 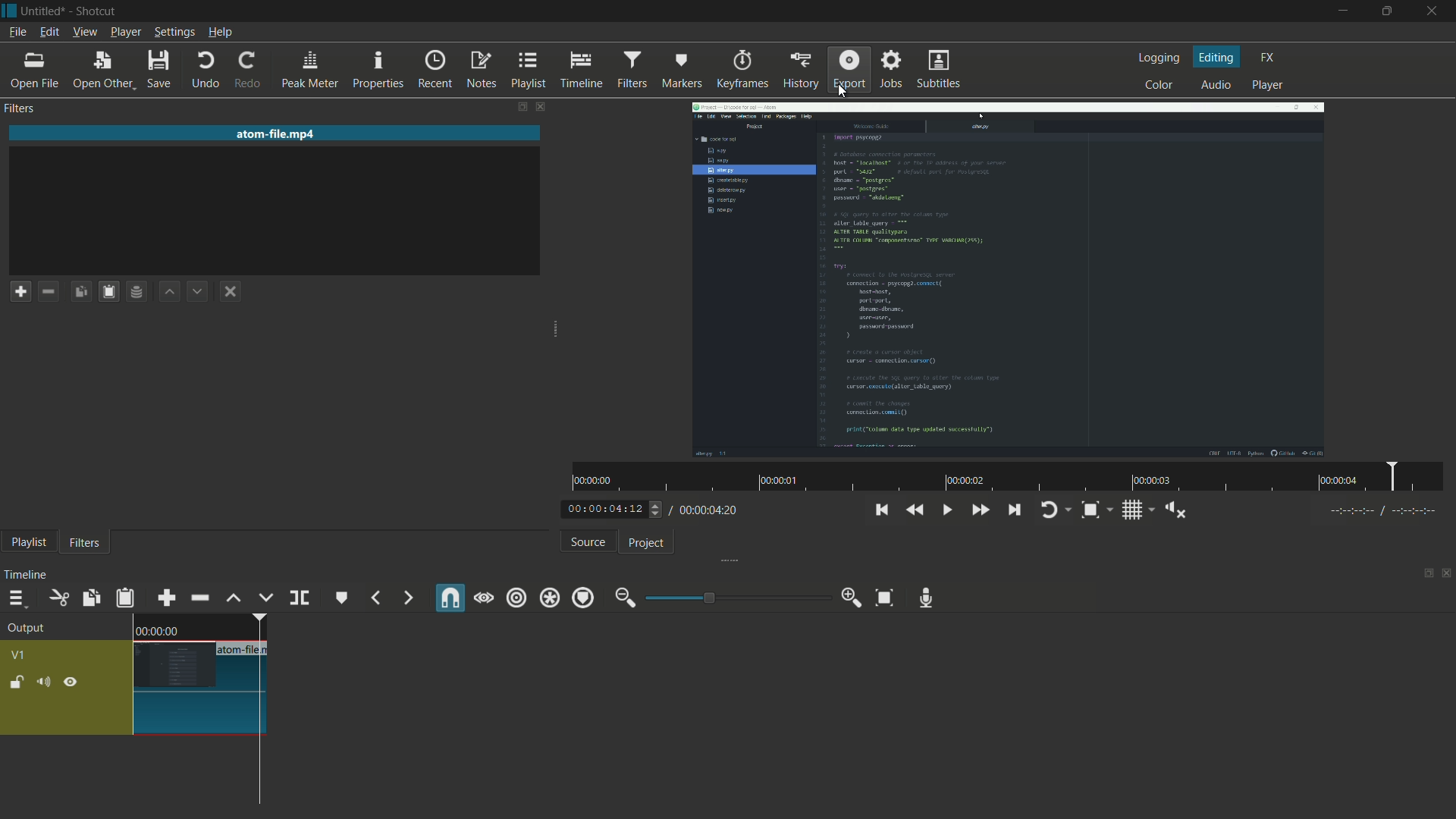 I want to click on filters, so click(x=84, y=543).